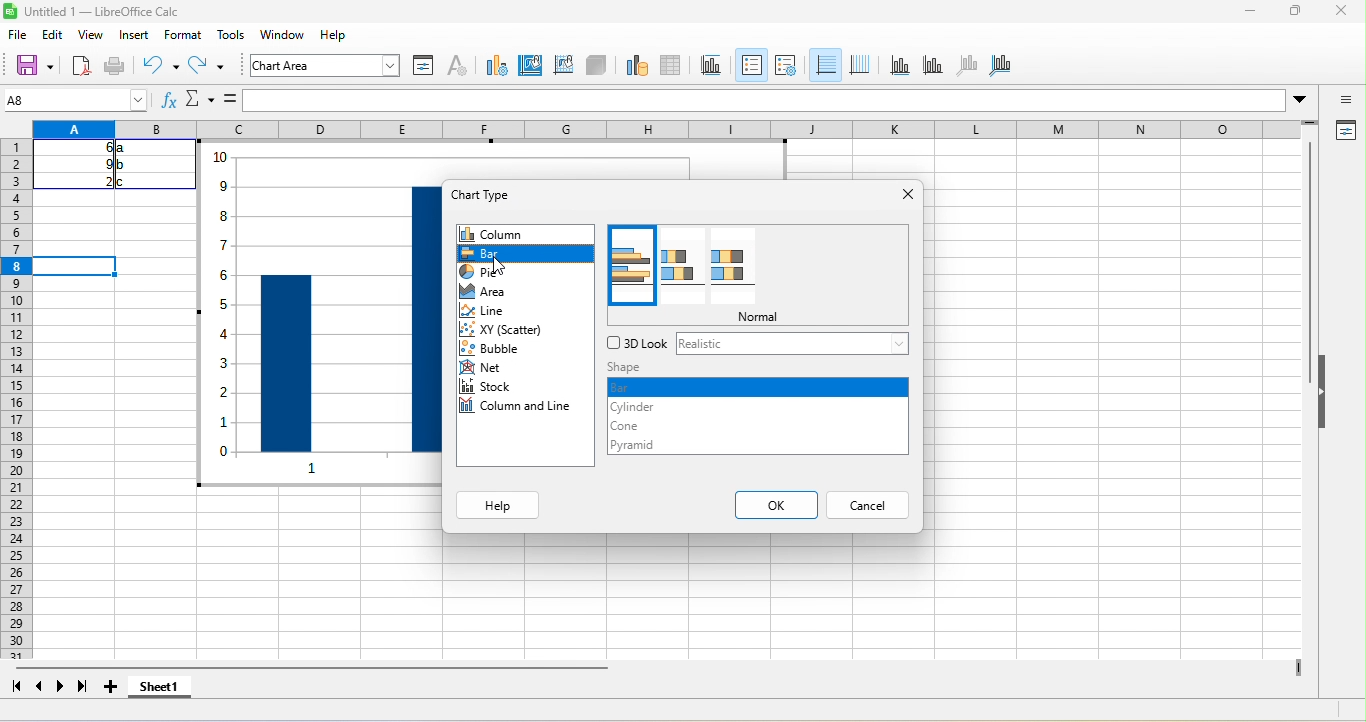  I want to click on normal, so click(633, 267).